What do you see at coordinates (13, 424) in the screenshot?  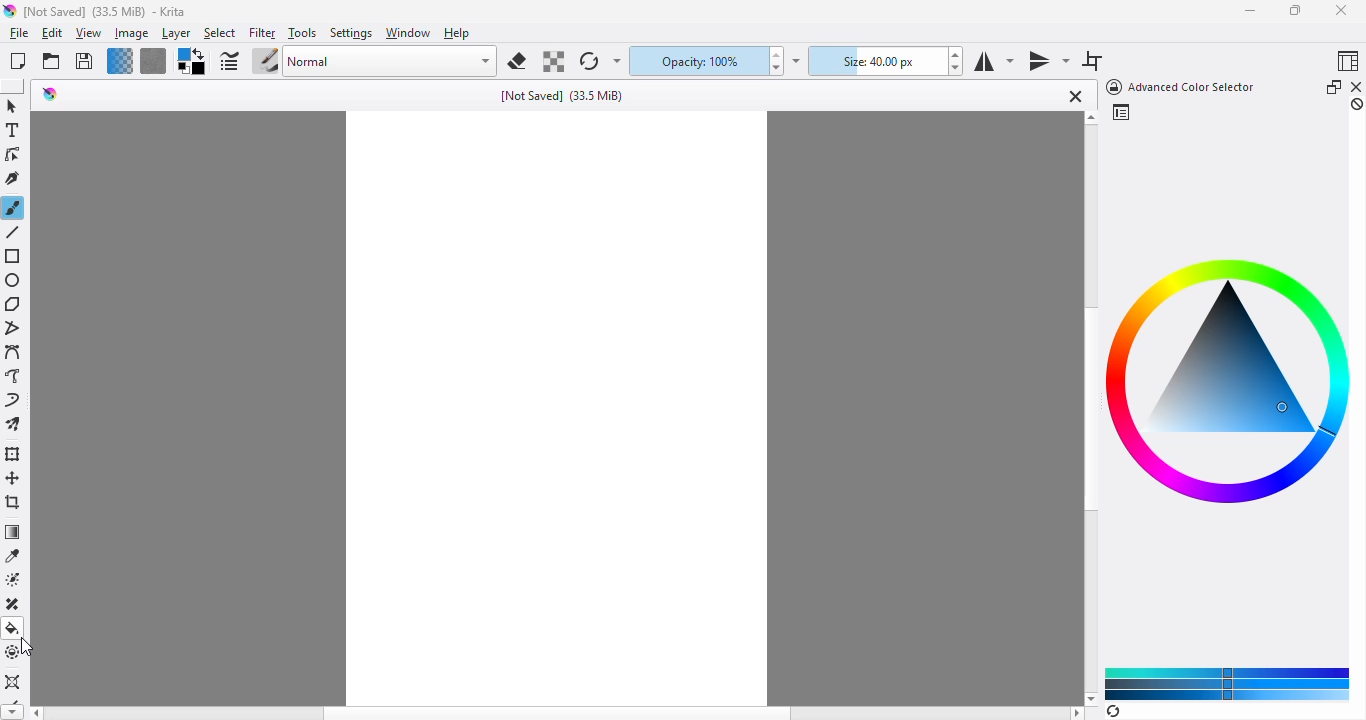 I see `multibrush tool` at bounding box center [13, 424].